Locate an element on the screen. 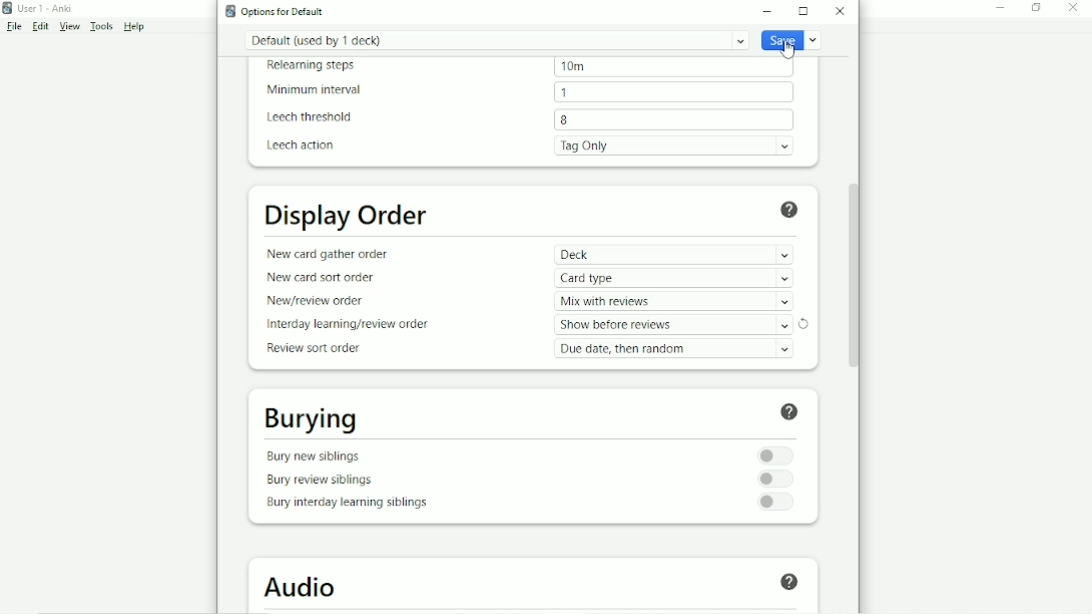  Deck - is located at coordinates (674, 255).